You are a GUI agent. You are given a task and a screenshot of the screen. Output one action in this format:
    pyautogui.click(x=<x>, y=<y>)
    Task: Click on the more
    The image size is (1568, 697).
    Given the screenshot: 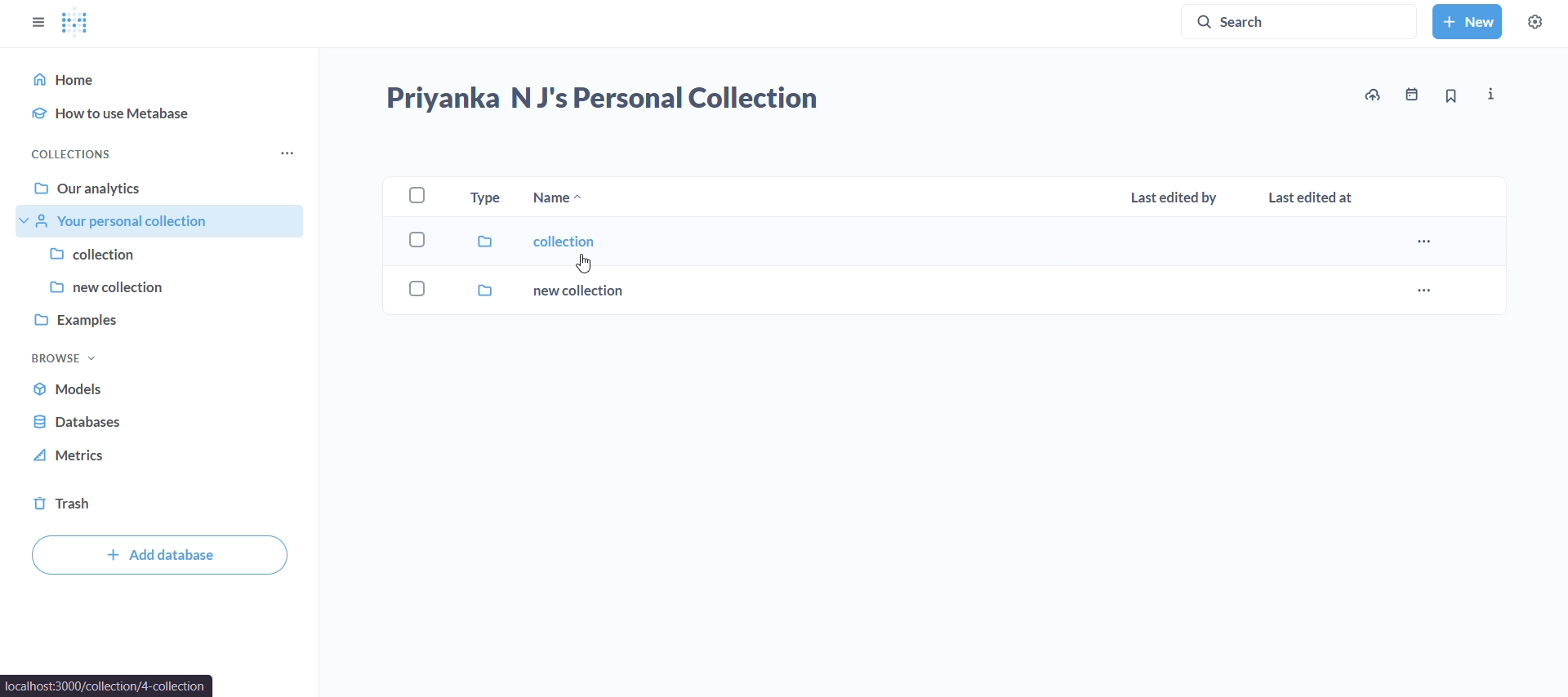 What is the action you would take?
    pyautogui.click(x=1423, y=242)
    